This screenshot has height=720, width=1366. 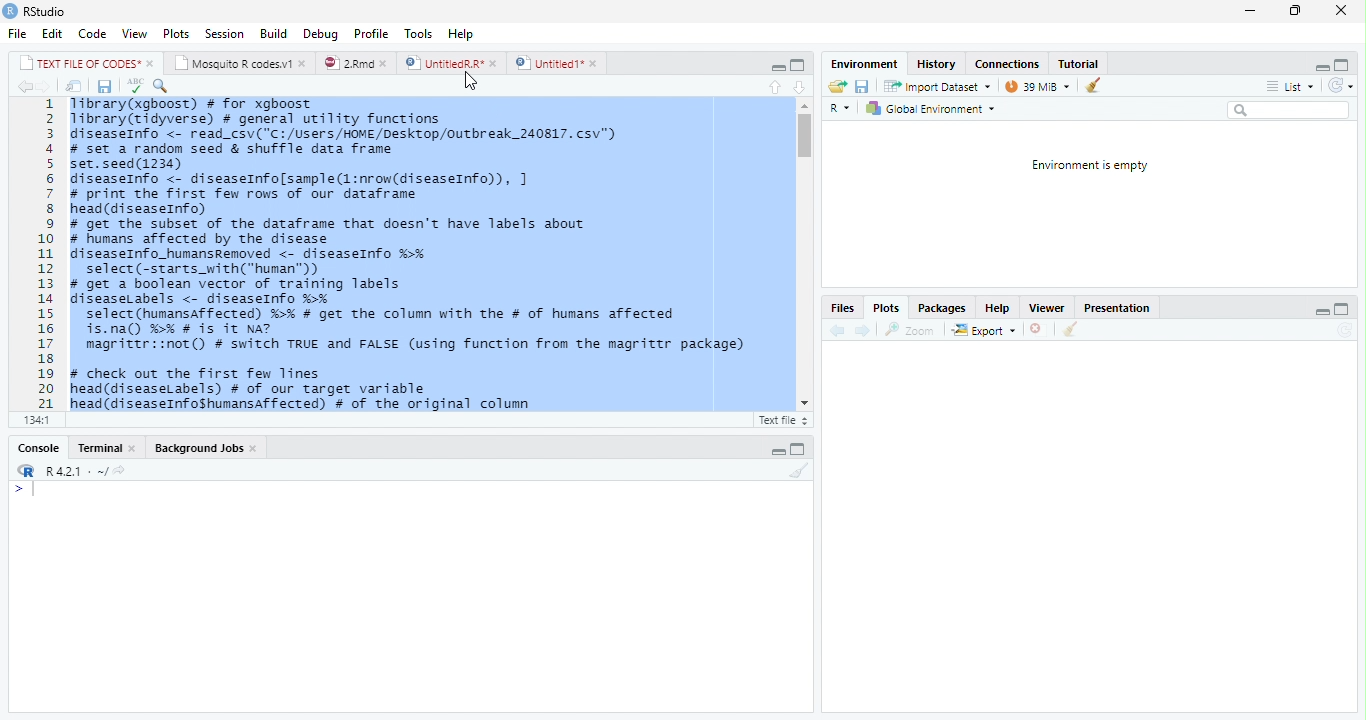 What do you see at coordinates (356, 63) in the screenshot?
I see `2.Rmd` at bounding box center [356, 63].